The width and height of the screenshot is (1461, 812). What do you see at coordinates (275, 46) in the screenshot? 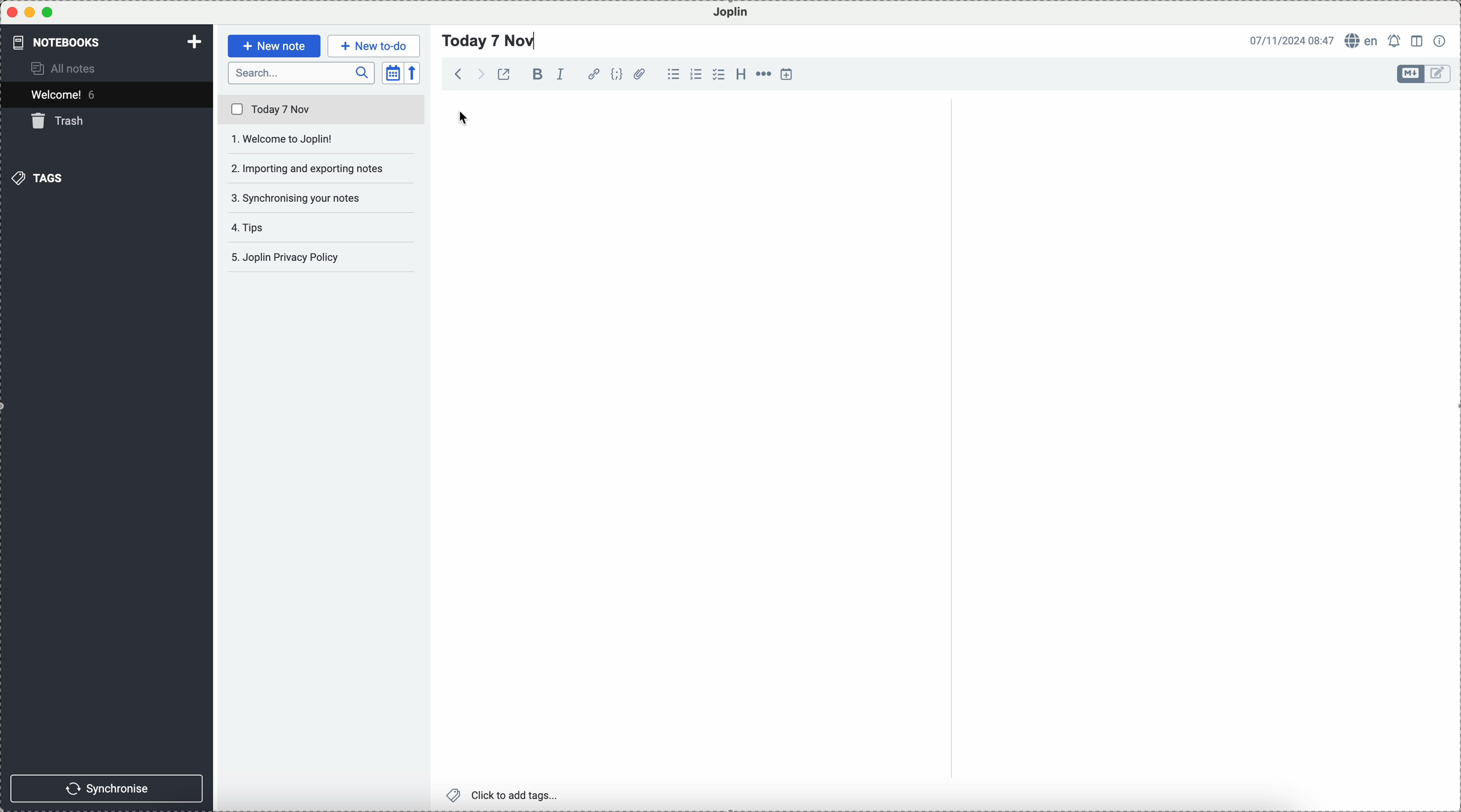
I see `new note button` at bounding box center [275, 46].